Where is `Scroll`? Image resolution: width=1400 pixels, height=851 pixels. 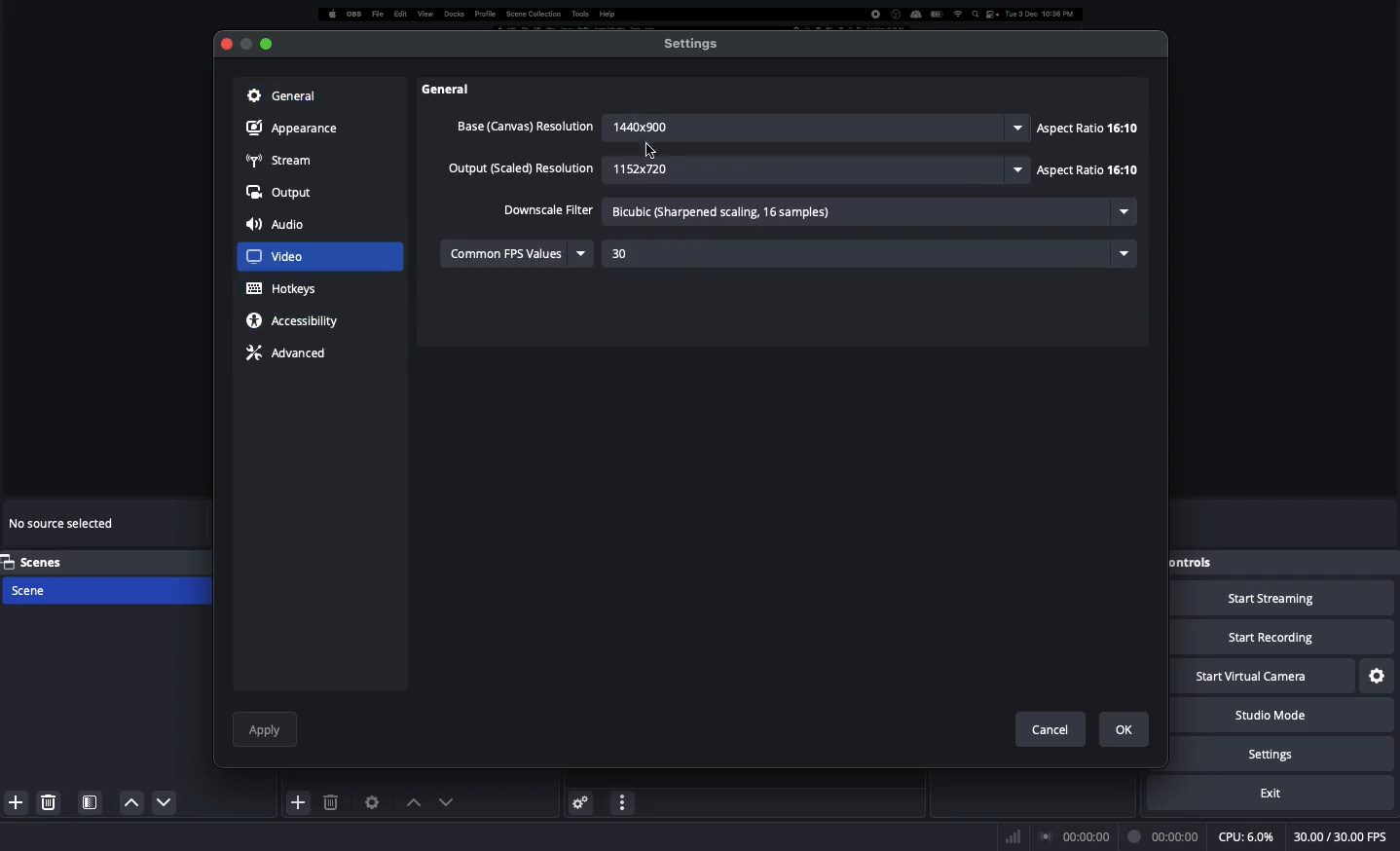
Scroll is located at coordinates (1146, 385).